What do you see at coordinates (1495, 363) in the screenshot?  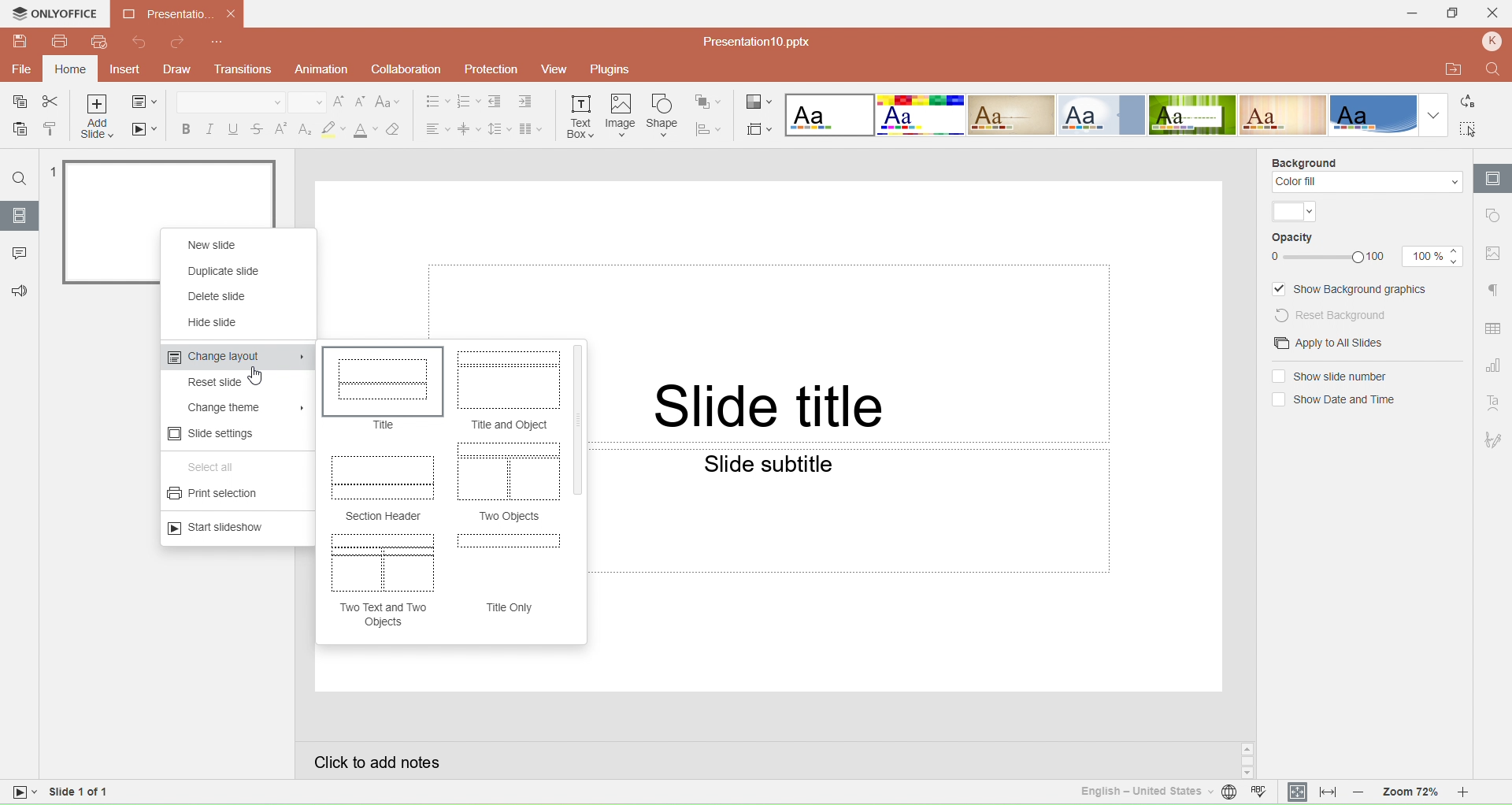 I see `Chart setting` at bounding box center [1495, 363].